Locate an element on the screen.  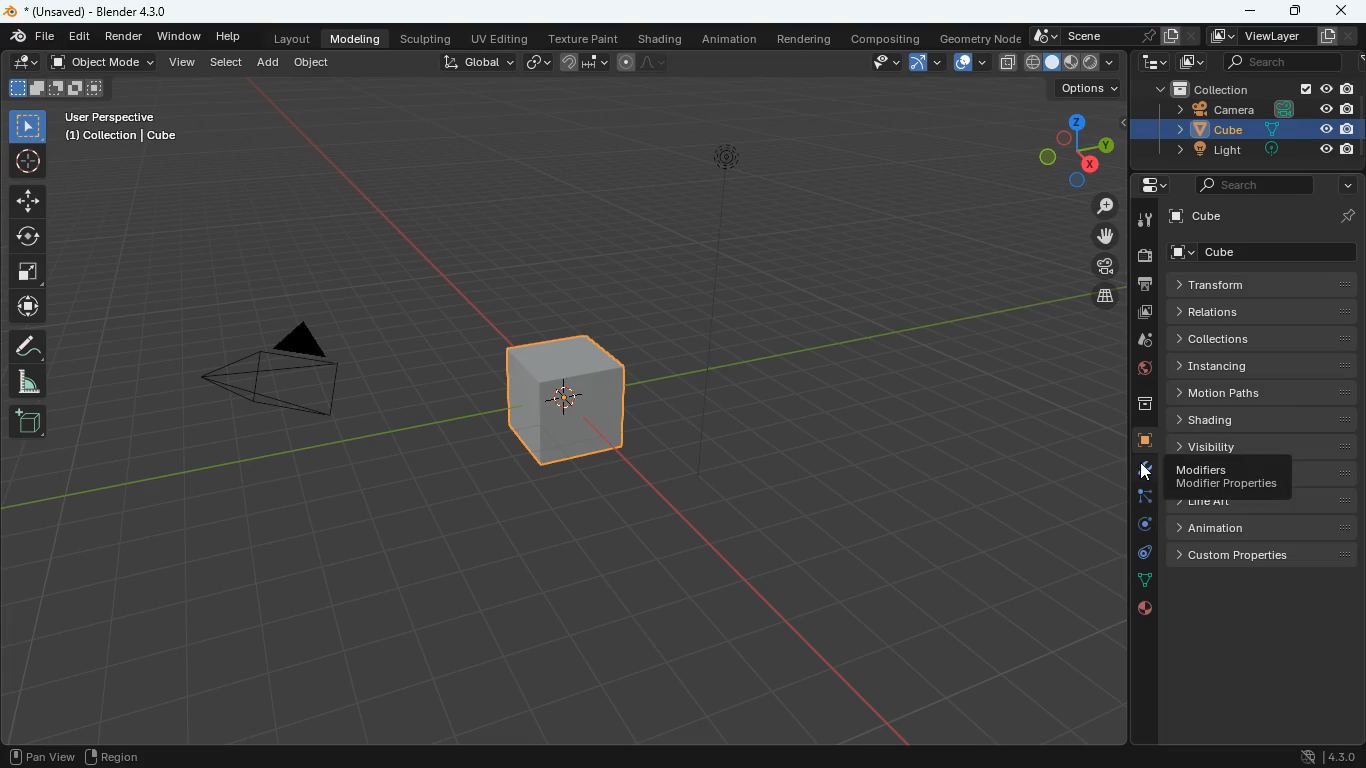
cursor is located at coordinates (1143, 472).